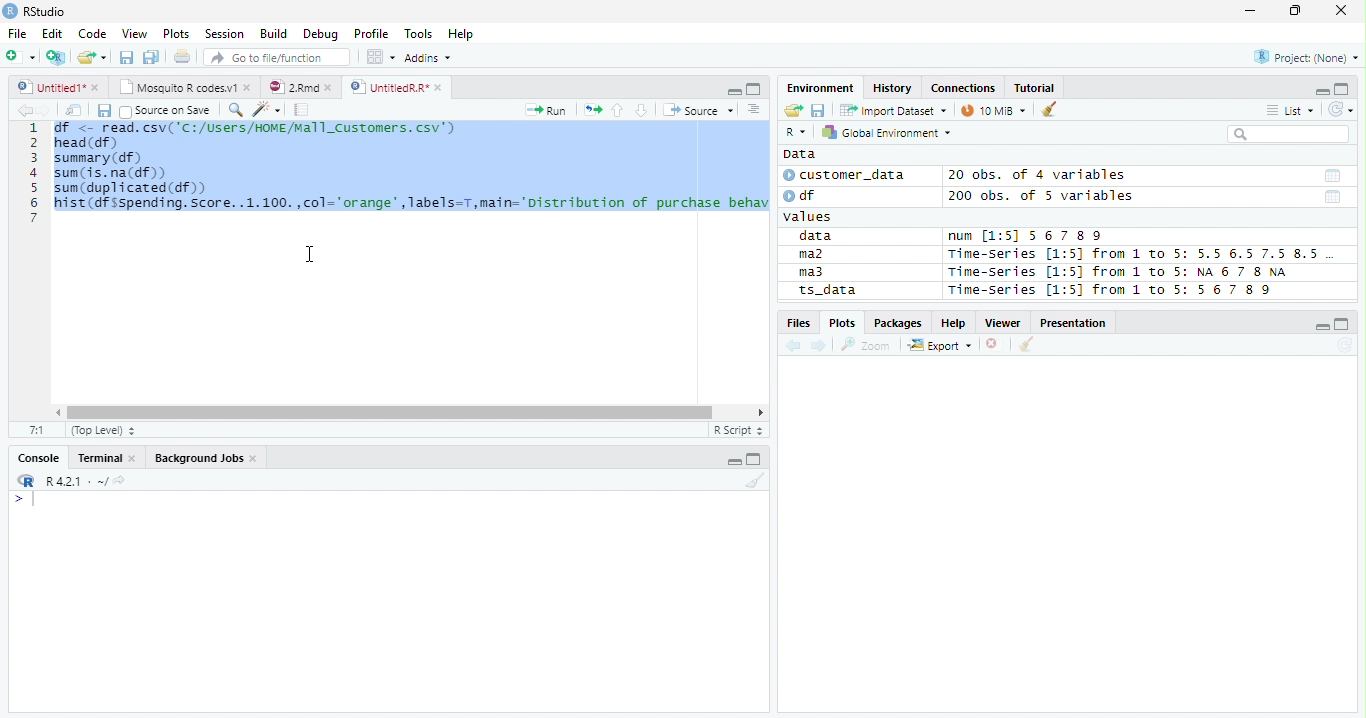  I want to click on Previous, so click(796, 346).